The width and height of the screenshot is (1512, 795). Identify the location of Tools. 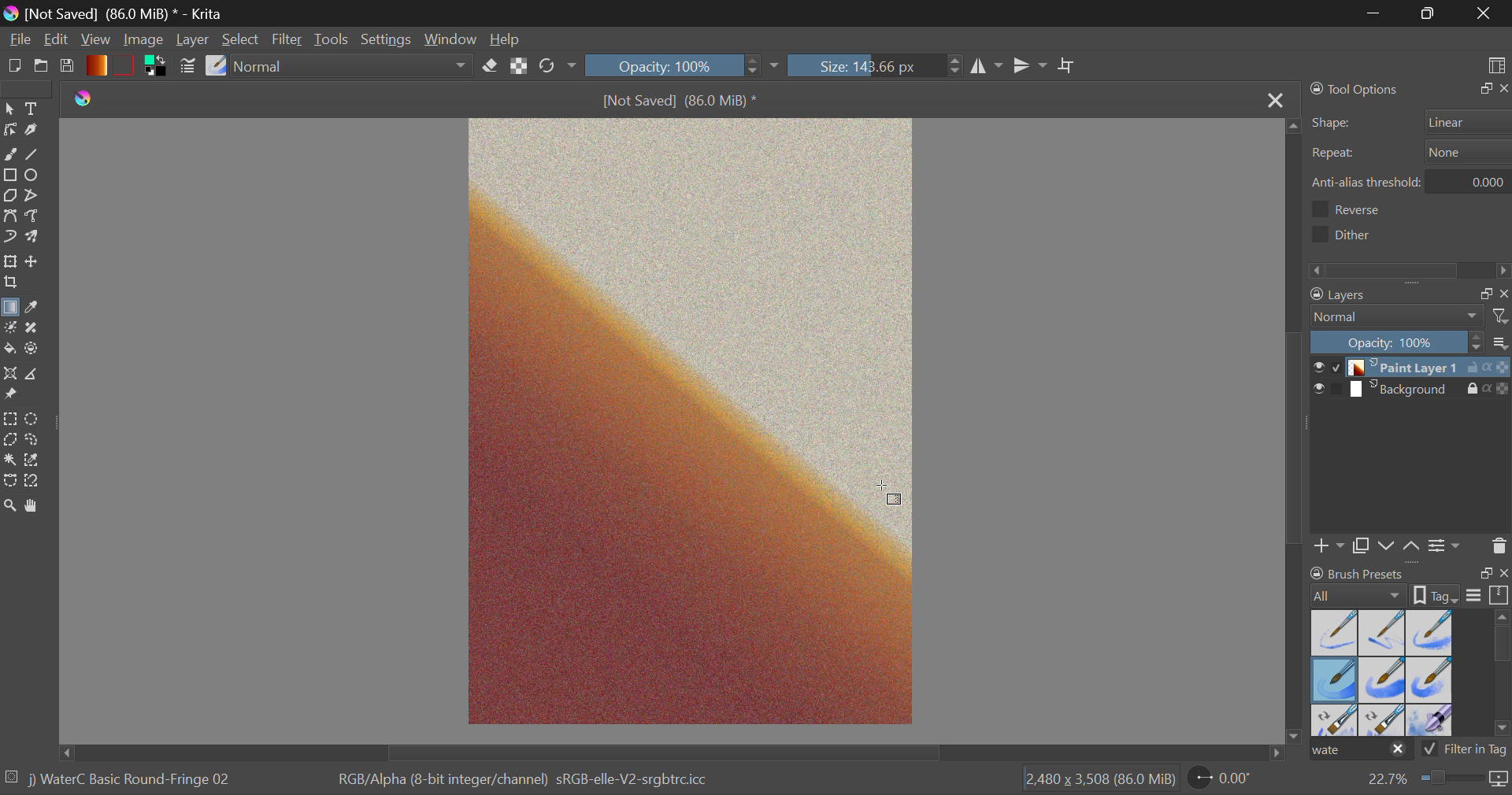
(335, 39).